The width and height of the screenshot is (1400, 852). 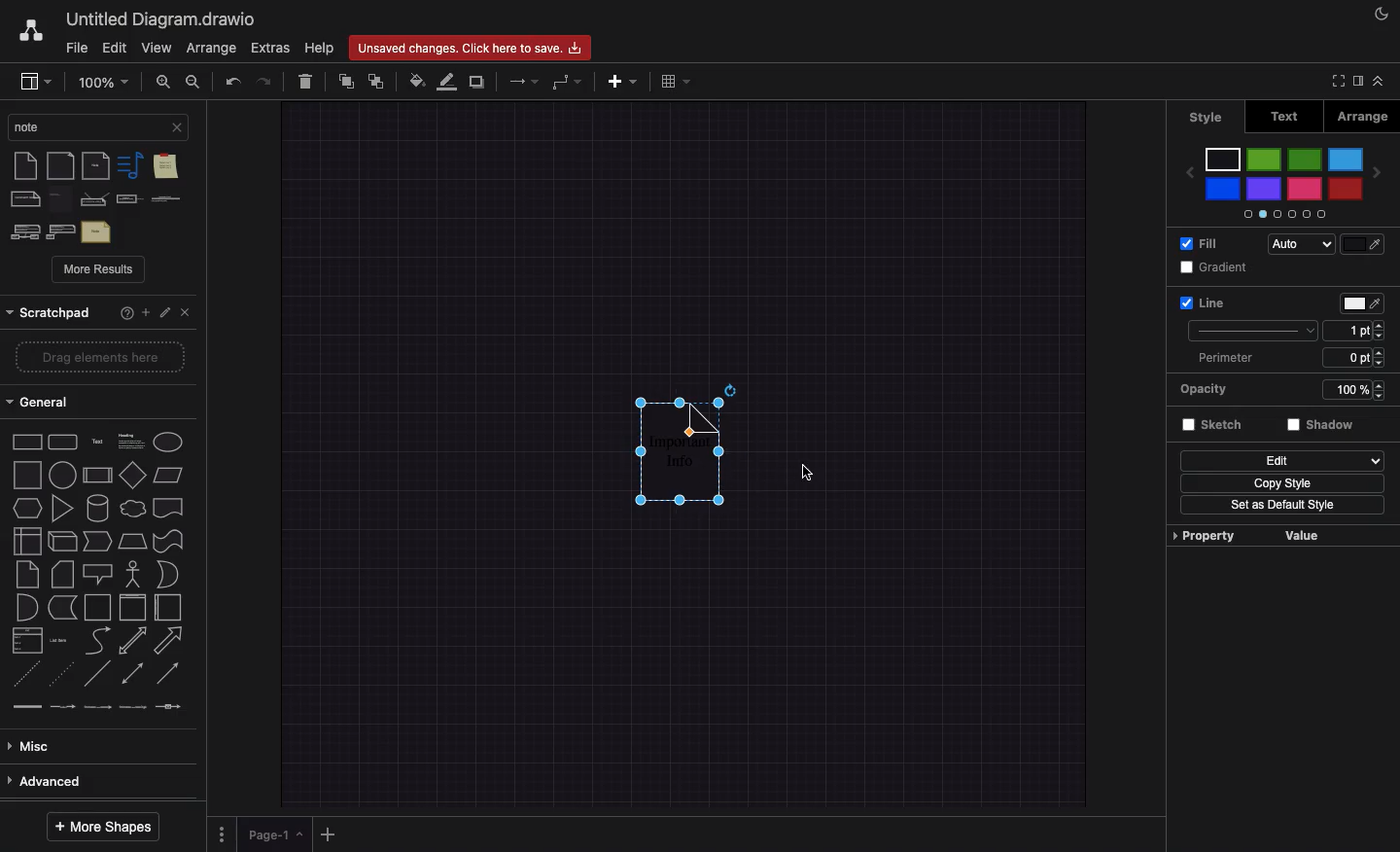 What do you see at coordinates (803, 473) in the screenshot?
I see `cursor` at bounding box center [803, 473].